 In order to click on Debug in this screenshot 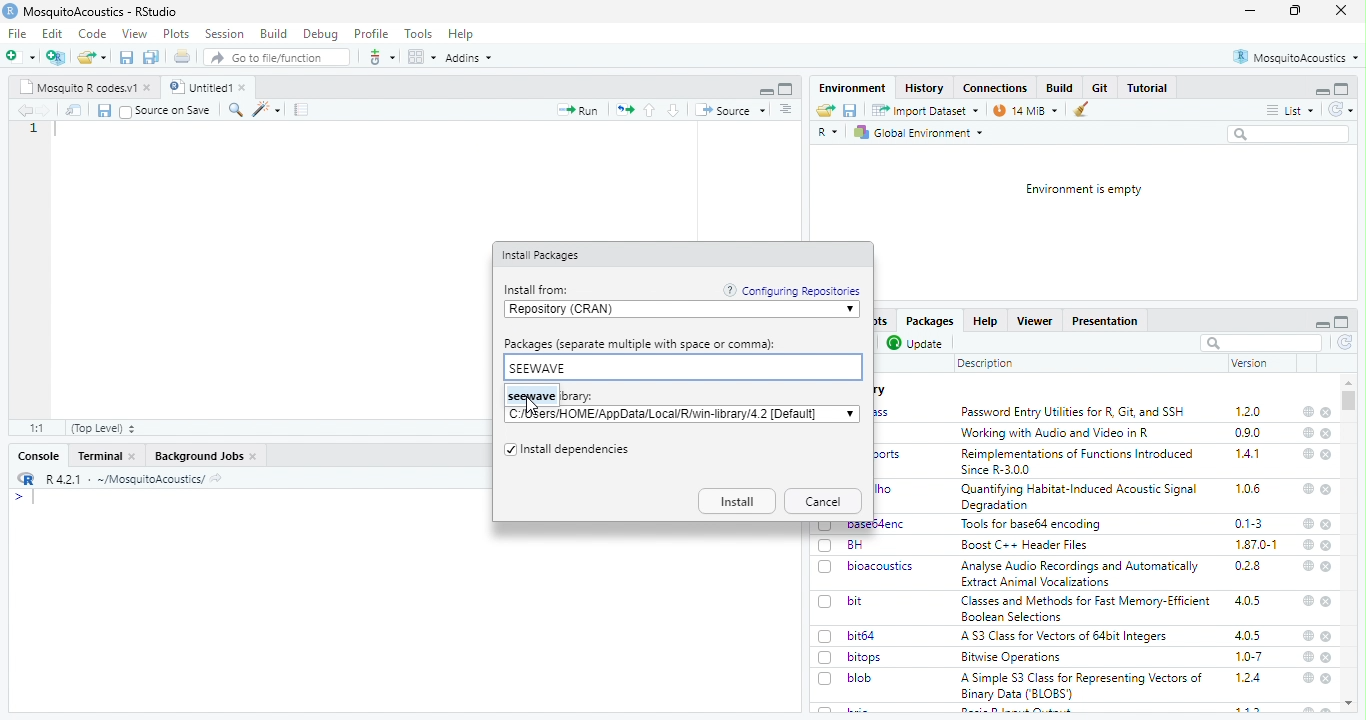, I will do `click(322, 35)`.